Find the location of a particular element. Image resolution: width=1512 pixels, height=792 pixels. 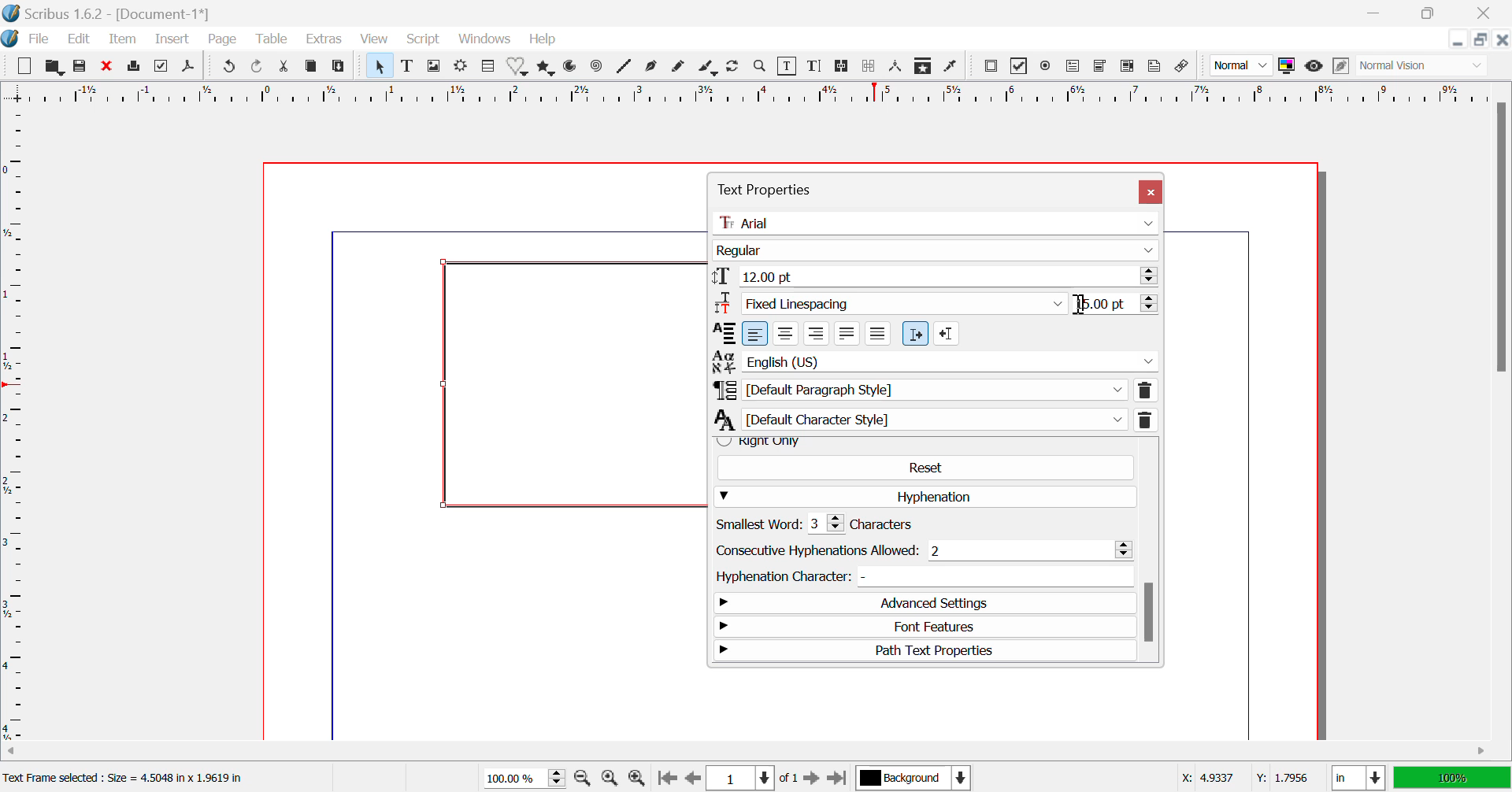

Redo is located at coordinates (257, 68).